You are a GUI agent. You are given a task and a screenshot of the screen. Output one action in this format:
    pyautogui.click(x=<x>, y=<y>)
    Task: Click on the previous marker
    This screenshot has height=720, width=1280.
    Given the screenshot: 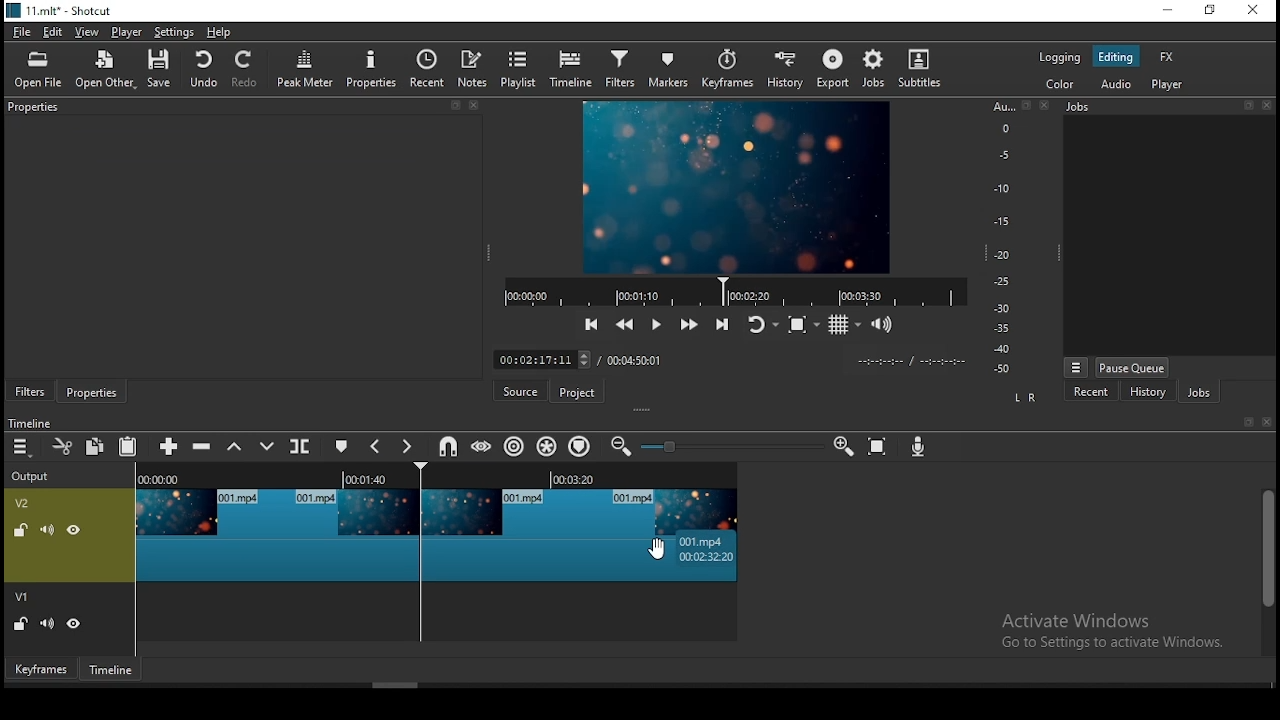 What is the action you would take?
    pyautogui.click(x=375, y=446)
    